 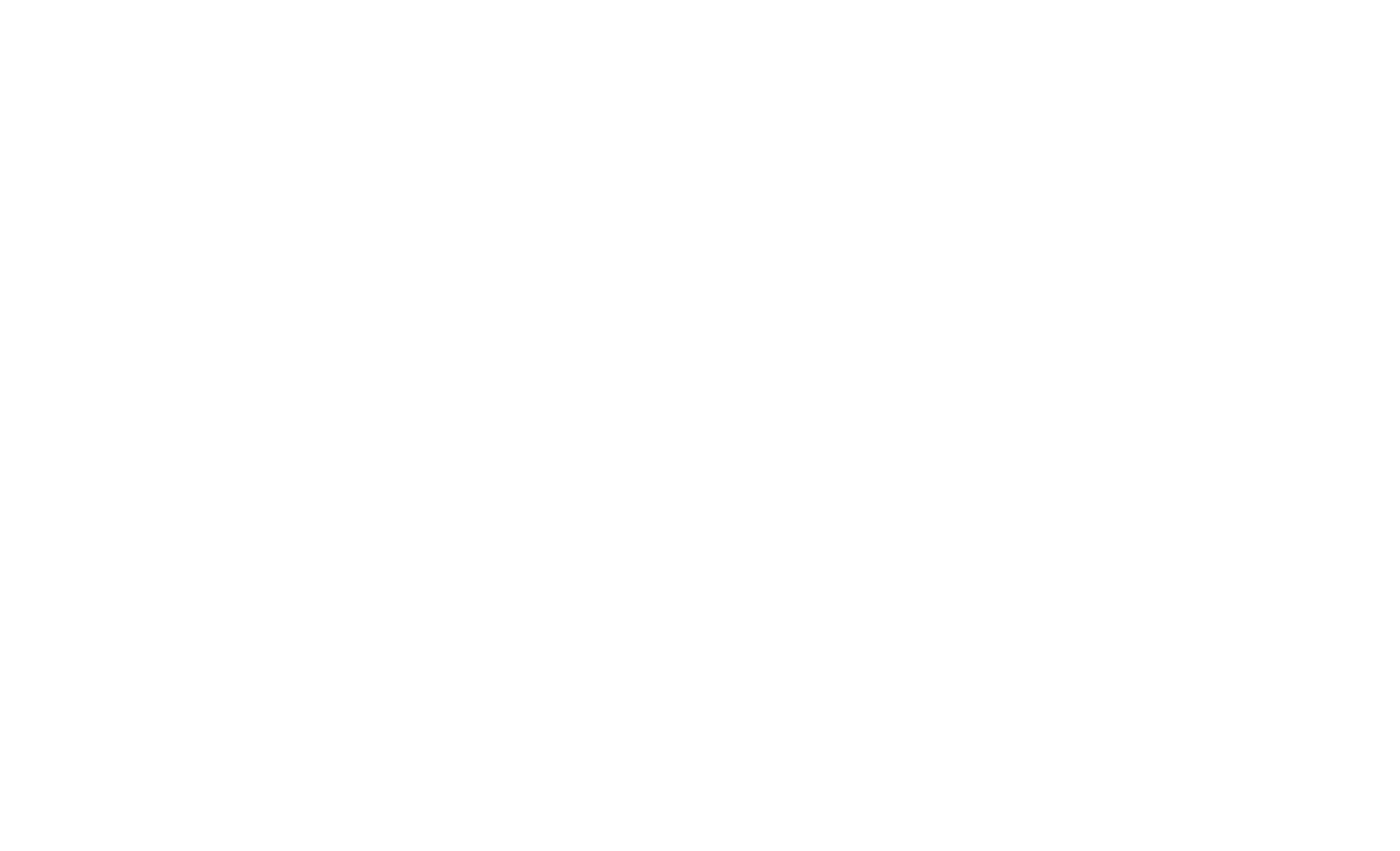 I want to click on Delete, so click(x=47, y=802).